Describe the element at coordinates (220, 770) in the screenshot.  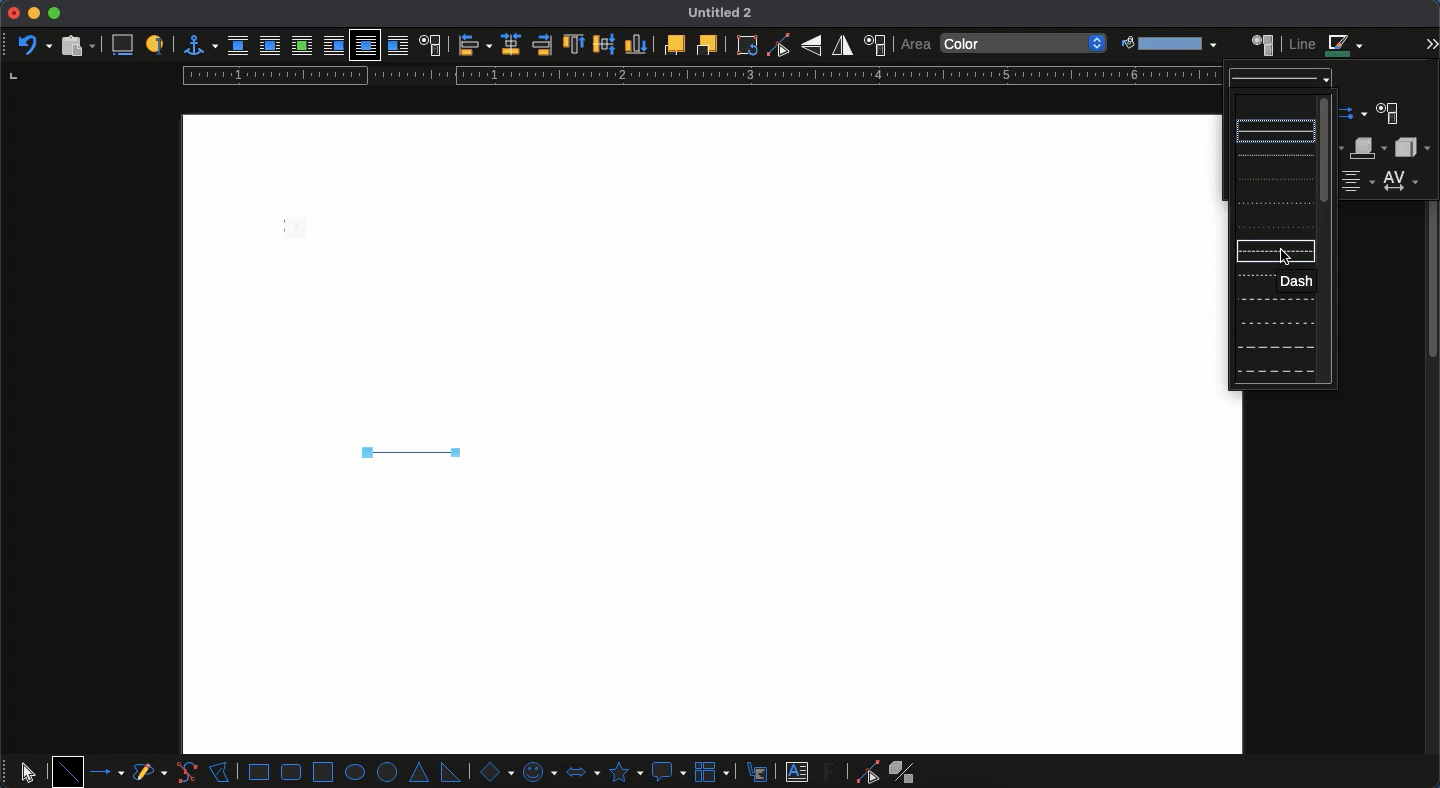
I see `polygon` at that location.